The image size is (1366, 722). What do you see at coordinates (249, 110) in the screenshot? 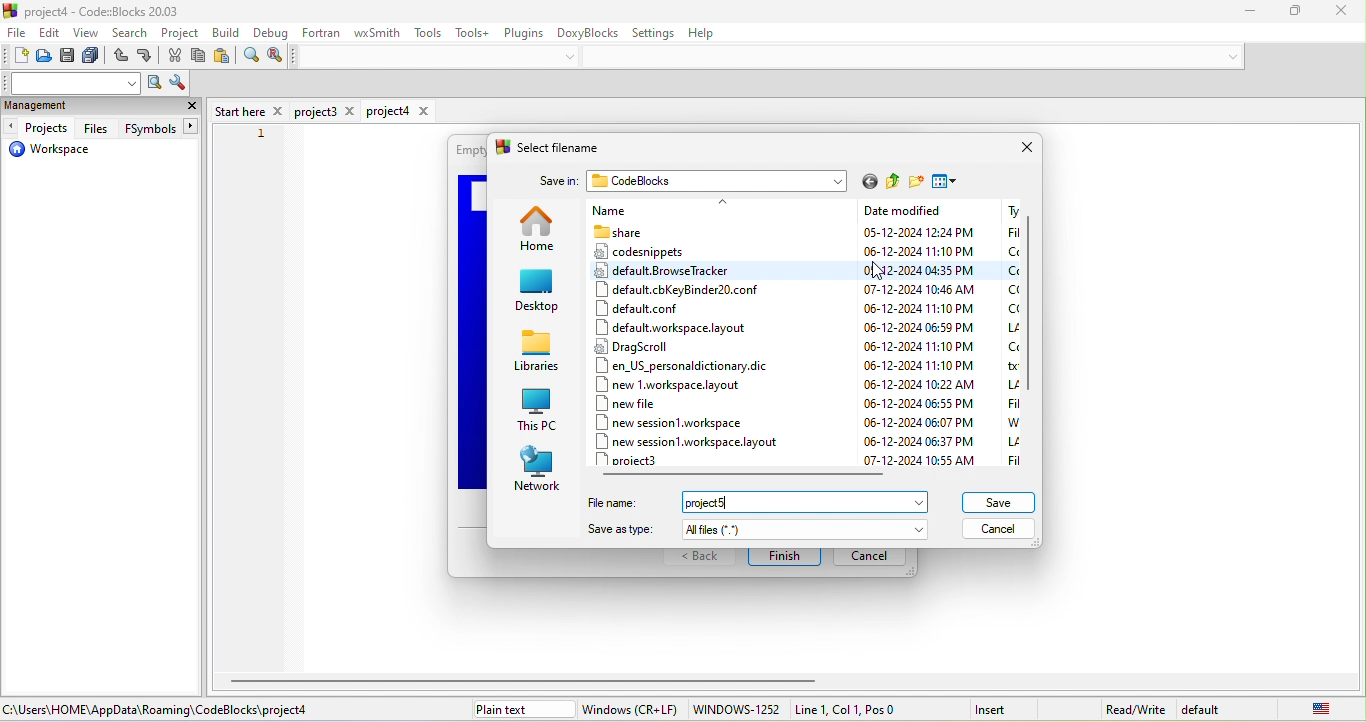
I see `start here` at bounding box center [249, 110].